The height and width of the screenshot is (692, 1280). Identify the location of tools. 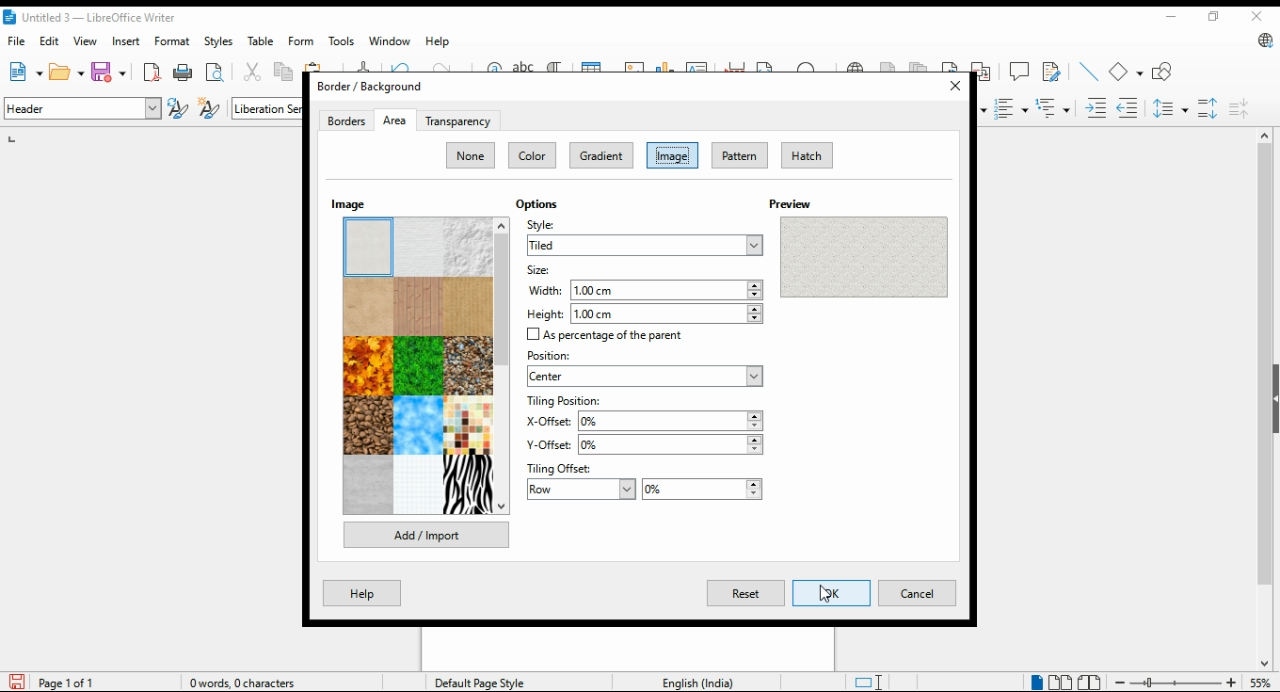
(340, 41).